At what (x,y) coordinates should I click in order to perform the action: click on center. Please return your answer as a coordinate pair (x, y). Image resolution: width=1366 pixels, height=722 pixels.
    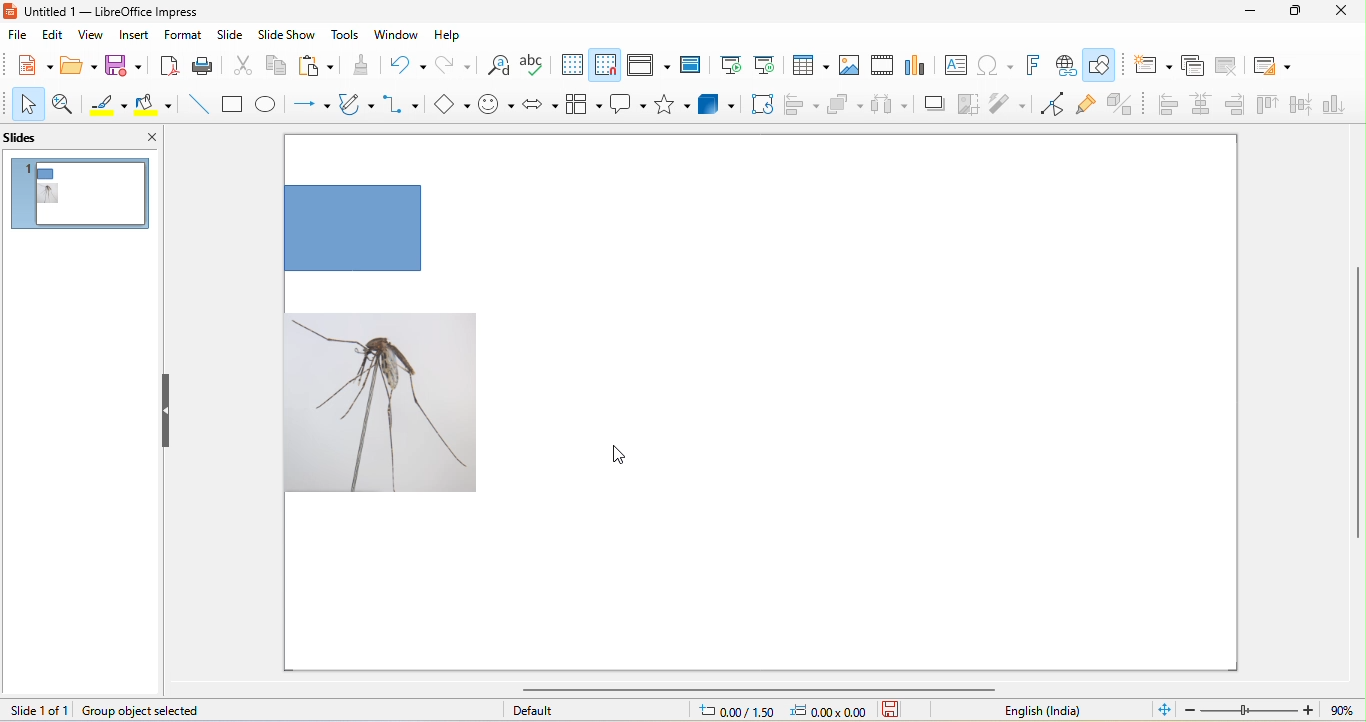
    Looking at the image, I should click on (1301, 109).